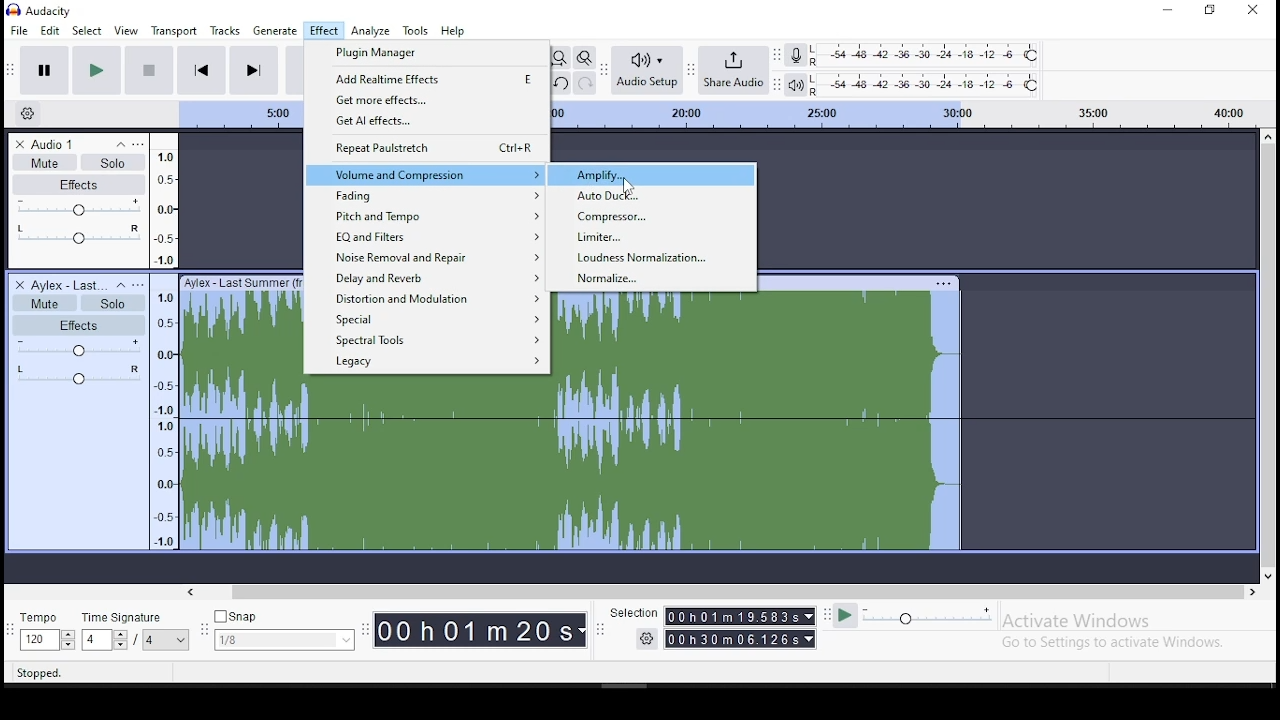 The image size is (1280, 720). Describe the element at coordinates (370, 31) in the screenshot. I see `analyze` at that location.